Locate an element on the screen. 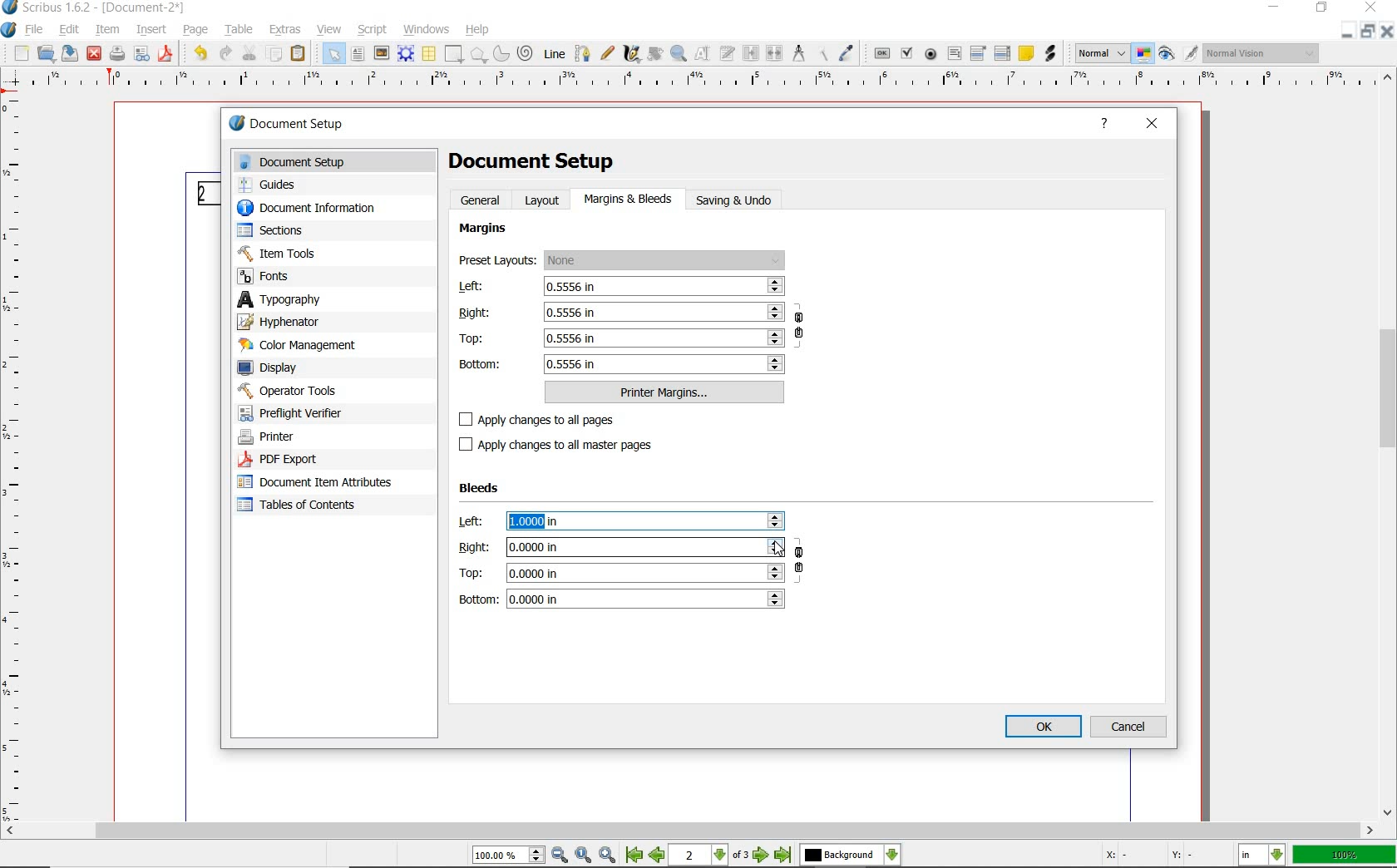  Horizontal MArgin is located at coordinates (693, 82).